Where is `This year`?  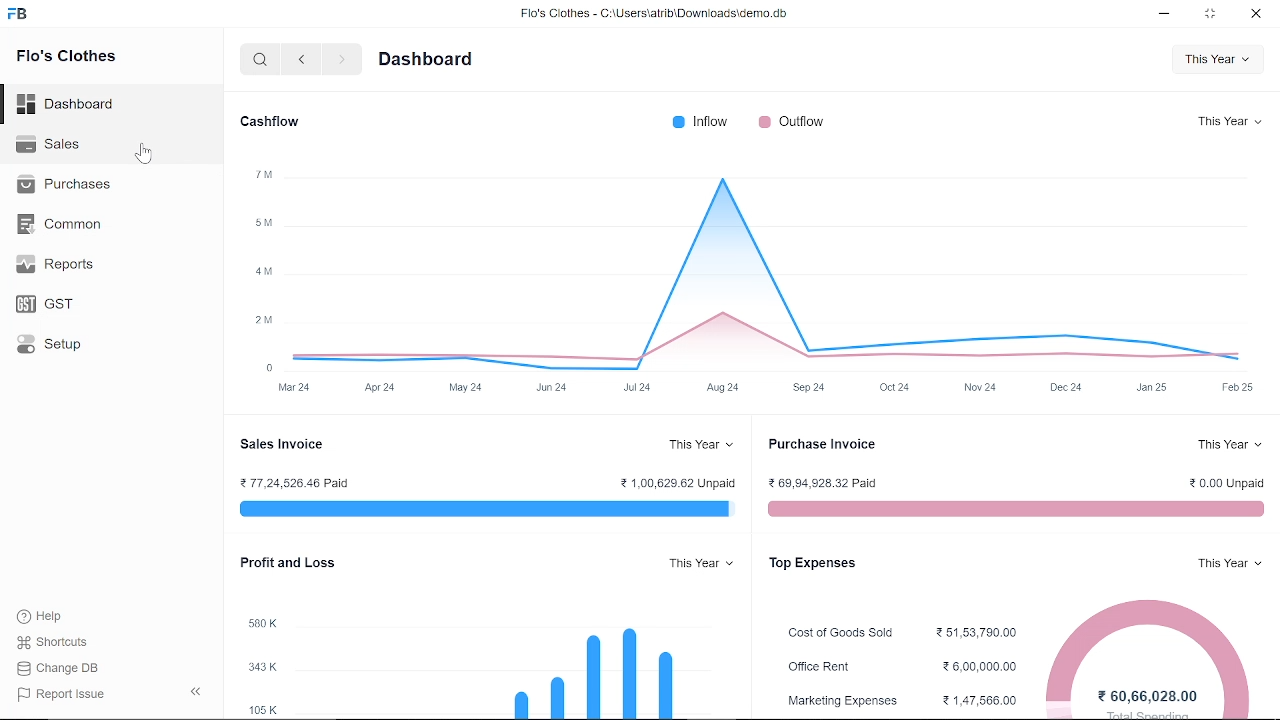
This year is located at coordinates (702, 564).